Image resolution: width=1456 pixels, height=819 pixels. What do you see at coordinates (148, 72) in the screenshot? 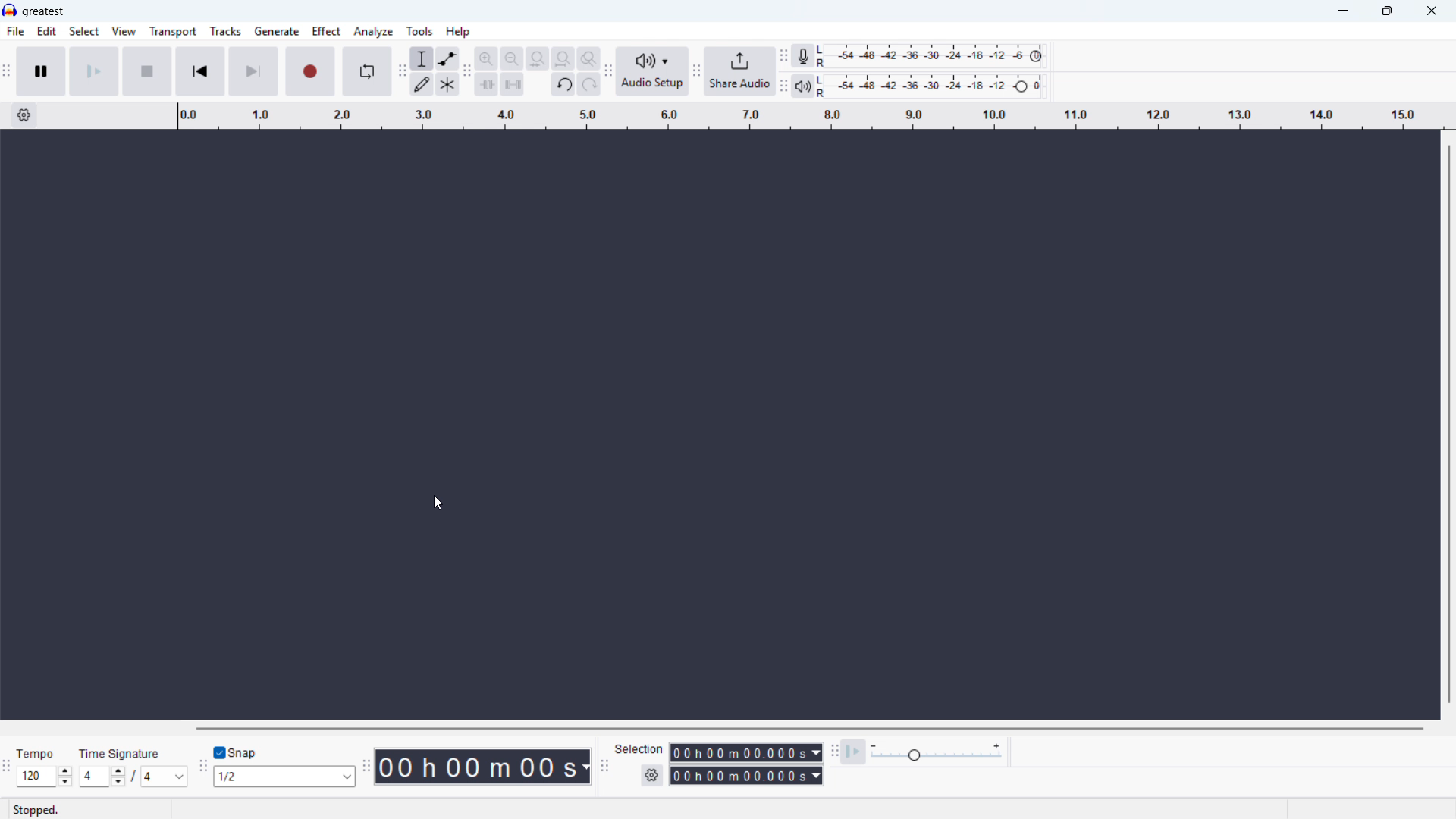
I see `stop ` at bounding box center [148, 72].